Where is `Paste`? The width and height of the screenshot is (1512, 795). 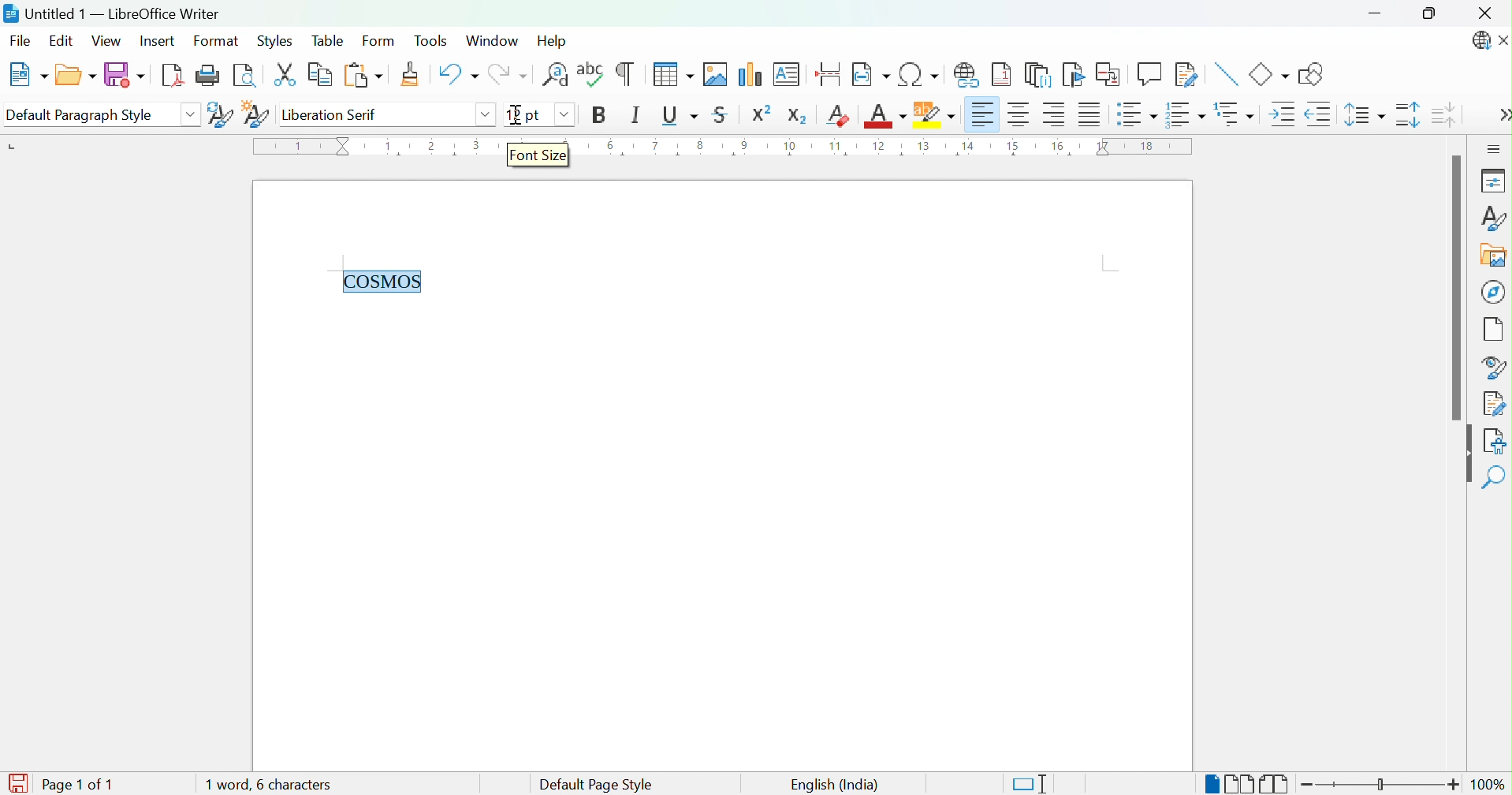 Paste is located at coordinates (361, 76).